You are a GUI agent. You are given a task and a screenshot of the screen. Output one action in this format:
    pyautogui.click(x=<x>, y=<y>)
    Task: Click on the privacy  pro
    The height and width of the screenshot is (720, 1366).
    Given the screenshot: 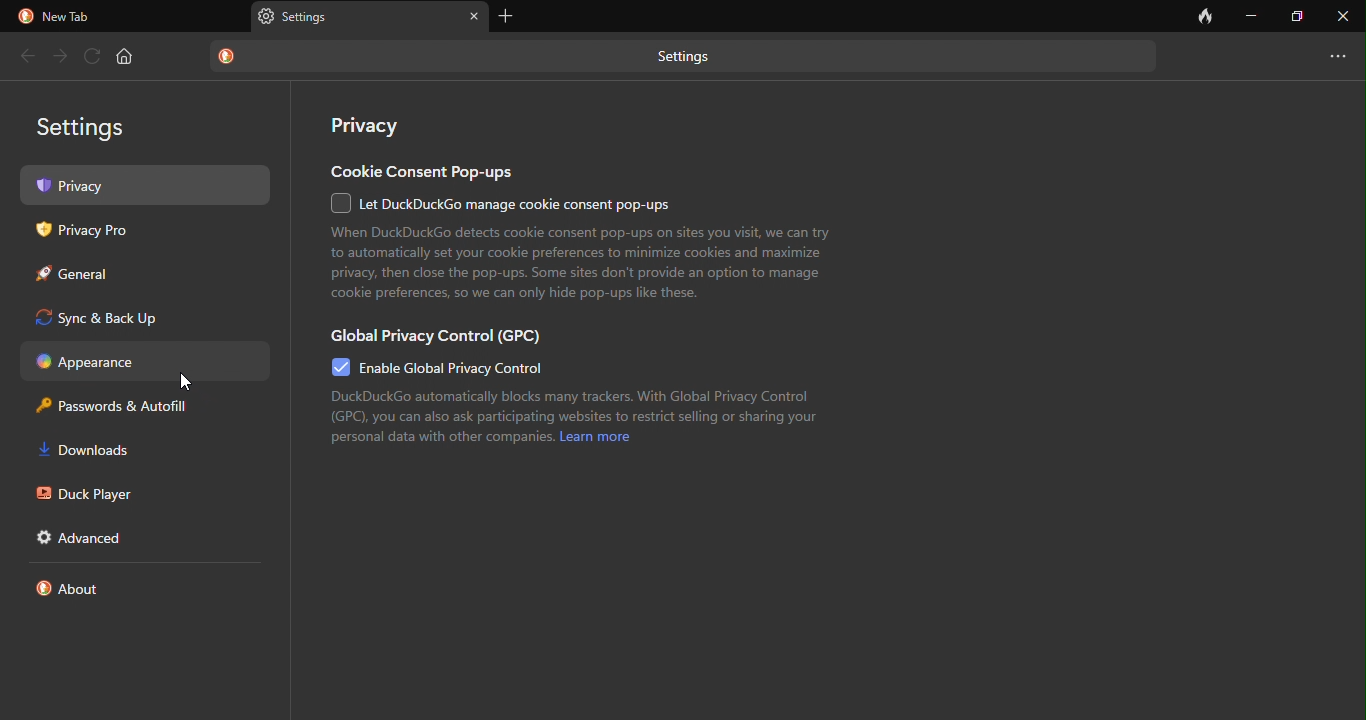 What is the action you would take?
    pyautogui.click(x=91, y=231)
    